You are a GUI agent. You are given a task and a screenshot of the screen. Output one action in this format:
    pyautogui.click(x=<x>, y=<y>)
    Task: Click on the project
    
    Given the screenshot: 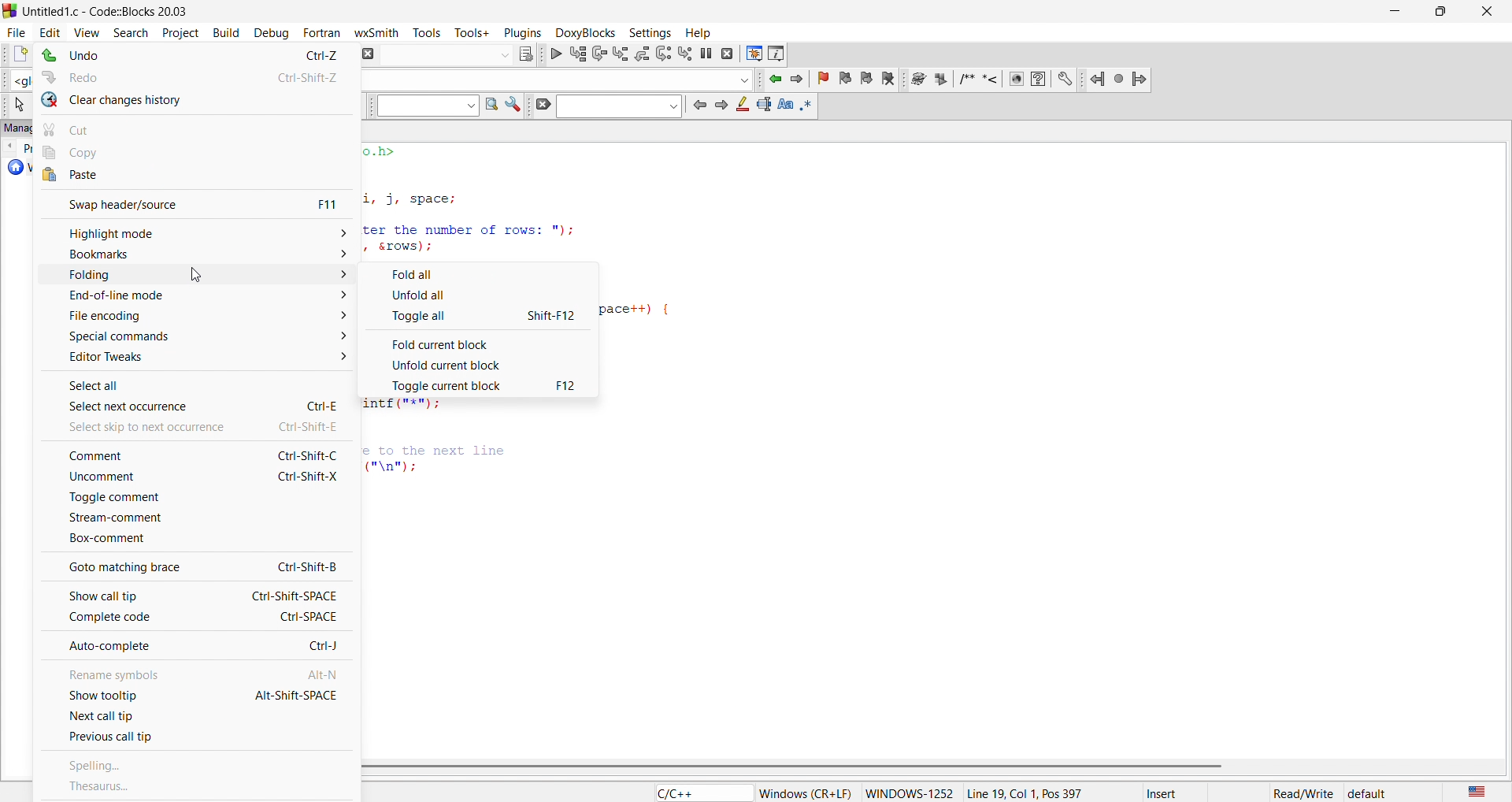 What is the action you would take?
    pyautogui.click(x=177, y=31)
    